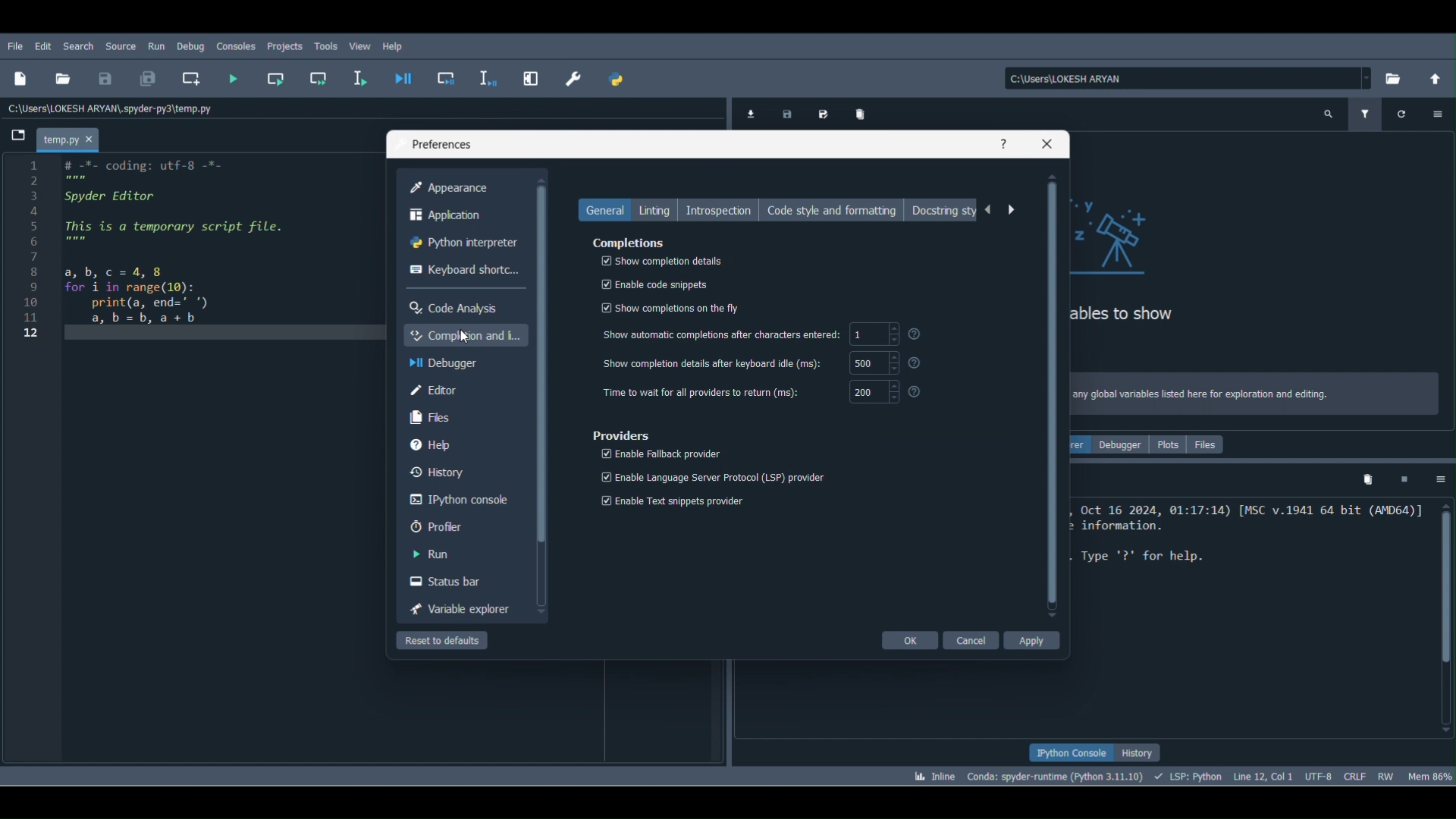 The width and height of the screenshot is (1456, 819). I want to click on Open file ( Ctrl + O), so click(62, 79).